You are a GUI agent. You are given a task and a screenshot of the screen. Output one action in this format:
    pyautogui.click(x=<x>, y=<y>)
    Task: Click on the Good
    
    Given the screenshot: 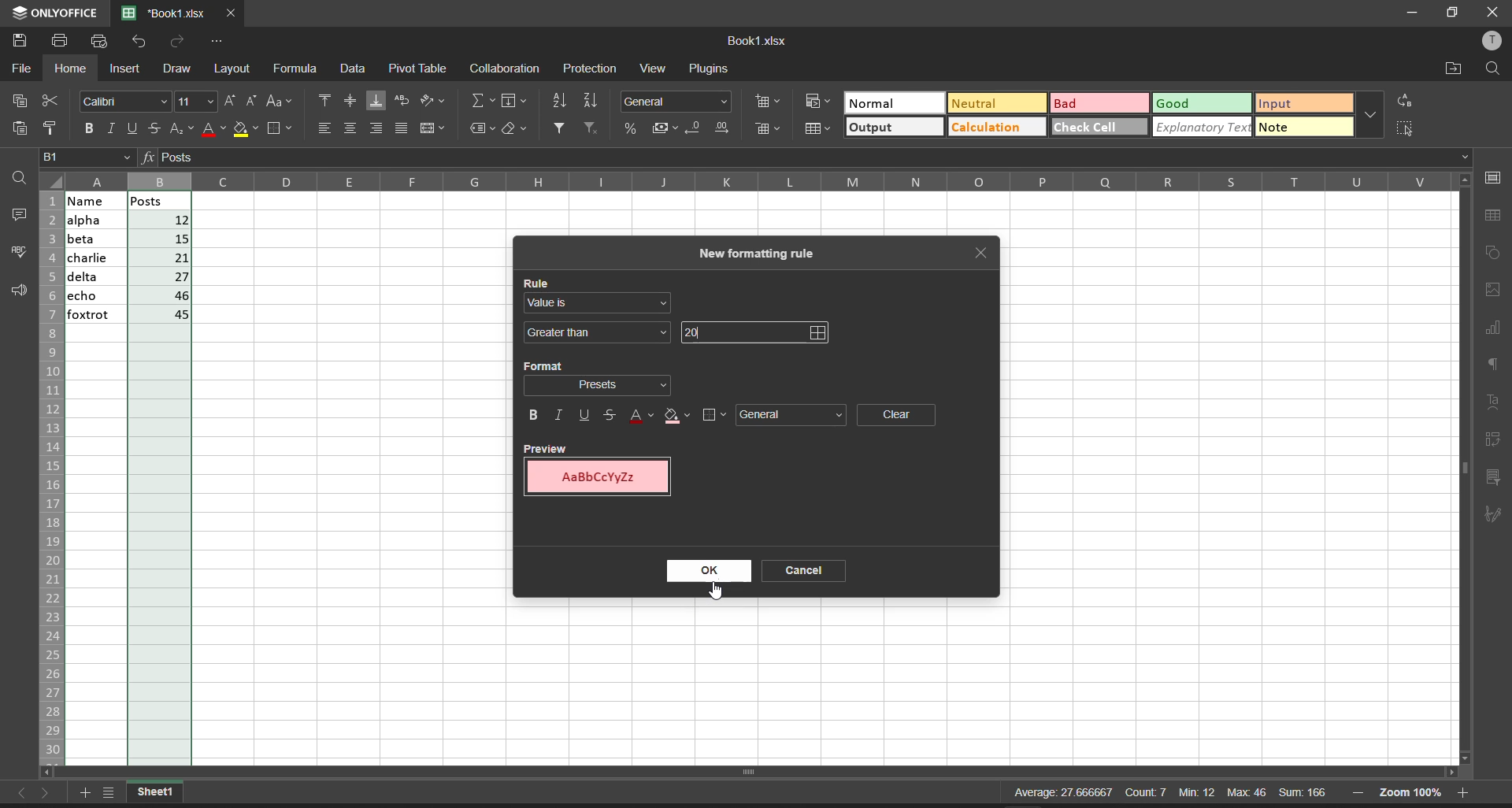 What is the action you would take?
    pyautogui.click(x=1176, y=102)
    